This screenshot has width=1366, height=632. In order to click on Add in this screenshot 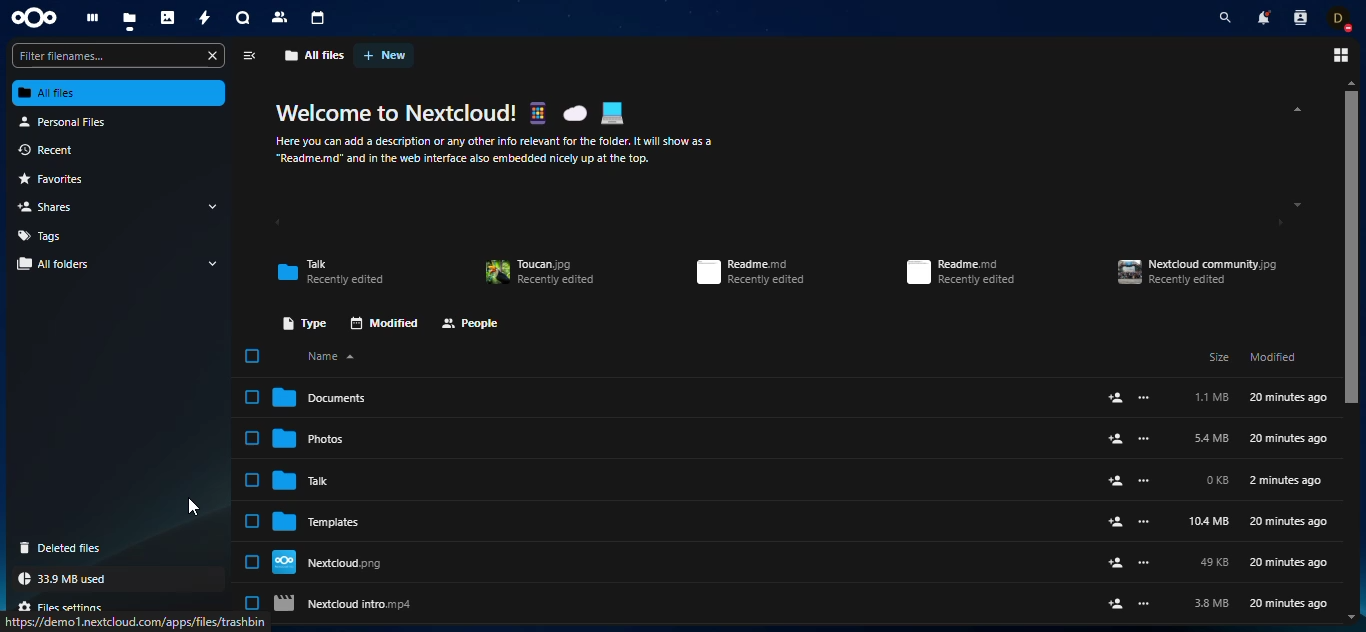, I will do `click(1131, 520)`.